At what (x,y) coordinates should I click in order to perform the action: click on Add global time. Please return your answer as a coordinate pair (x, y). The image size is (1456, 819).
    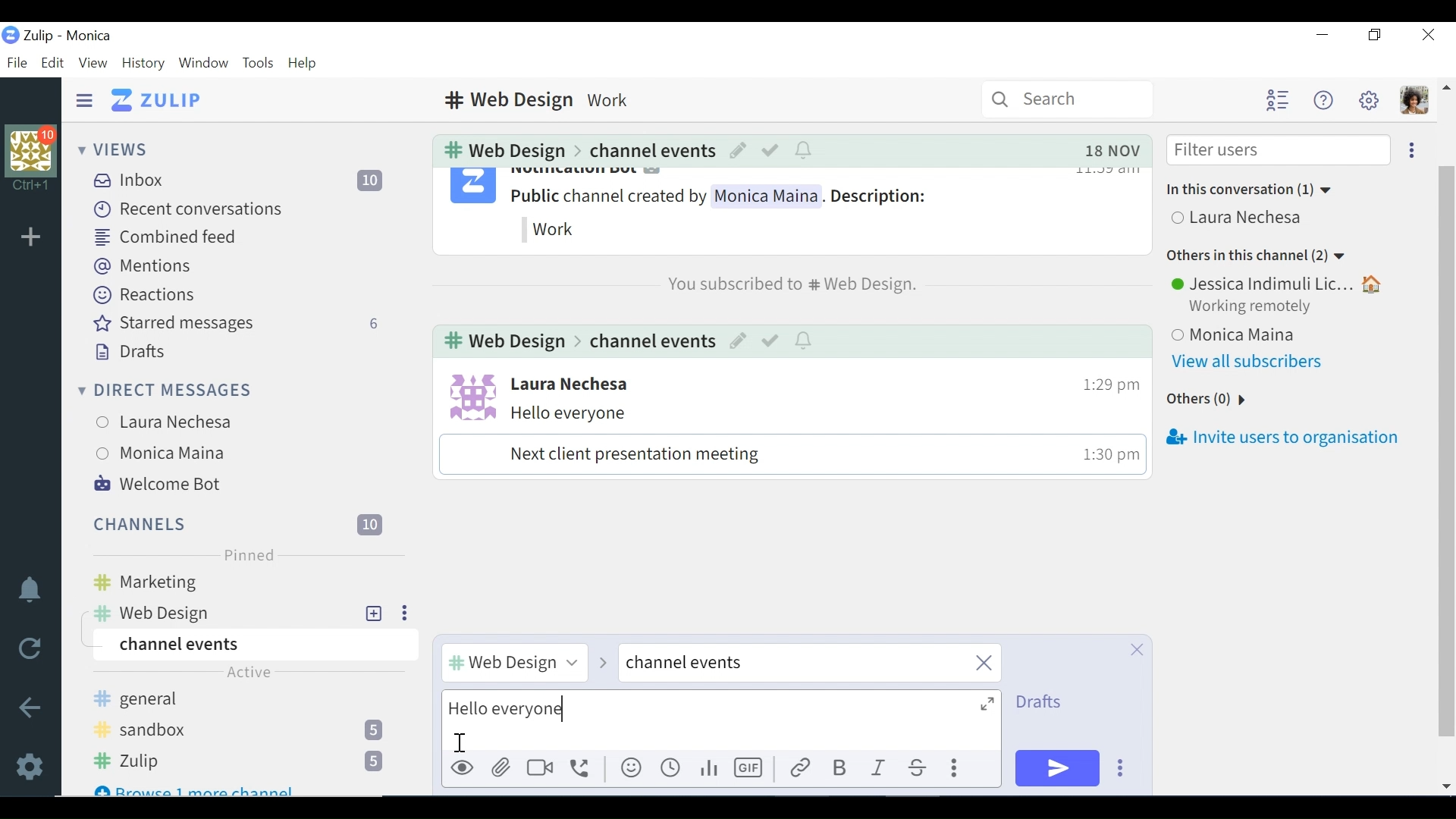
    Looking at the image, I should click on (671, 769).